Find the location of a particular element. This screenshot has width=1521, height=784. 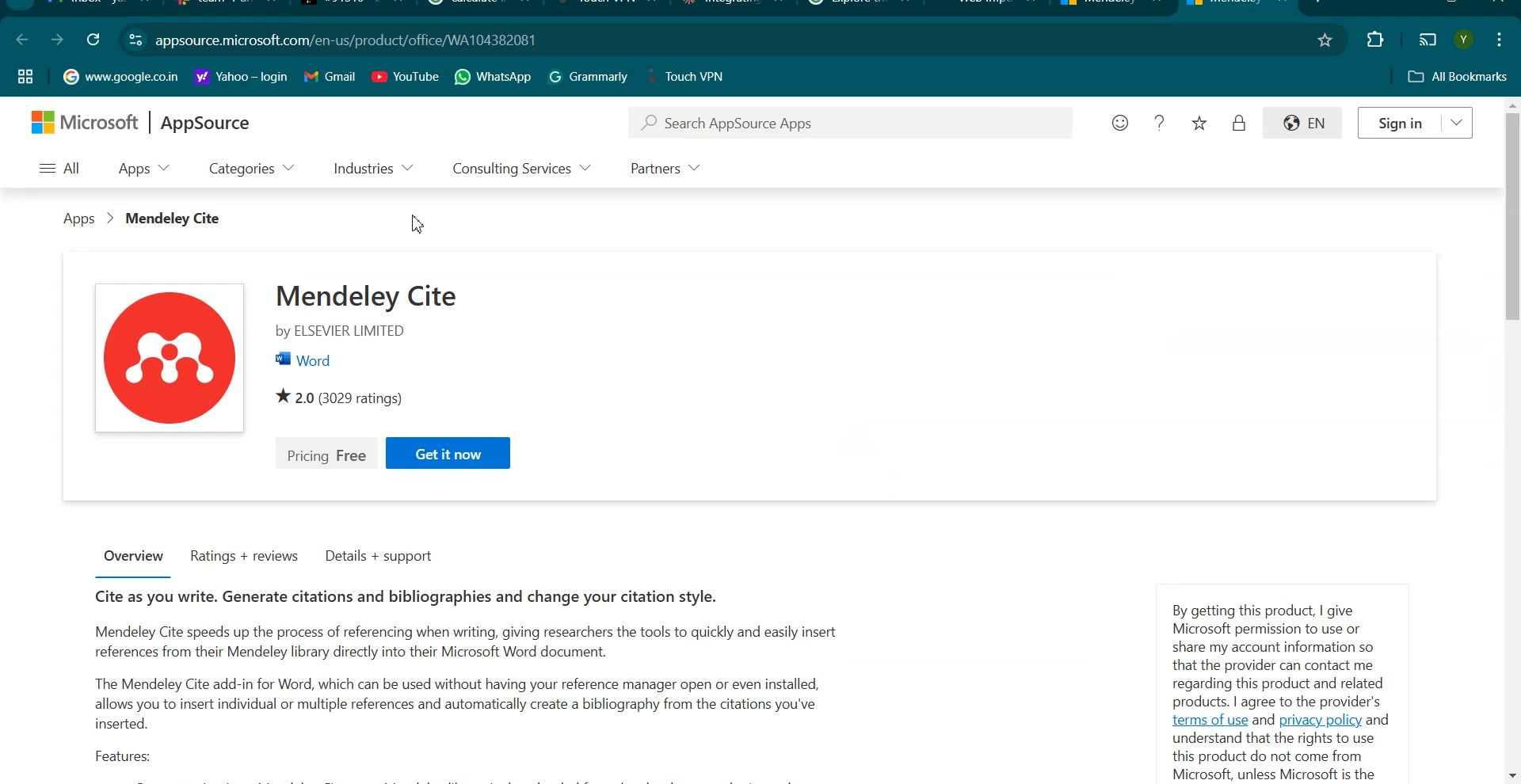

Cursor is located at coordinates (420, 225).